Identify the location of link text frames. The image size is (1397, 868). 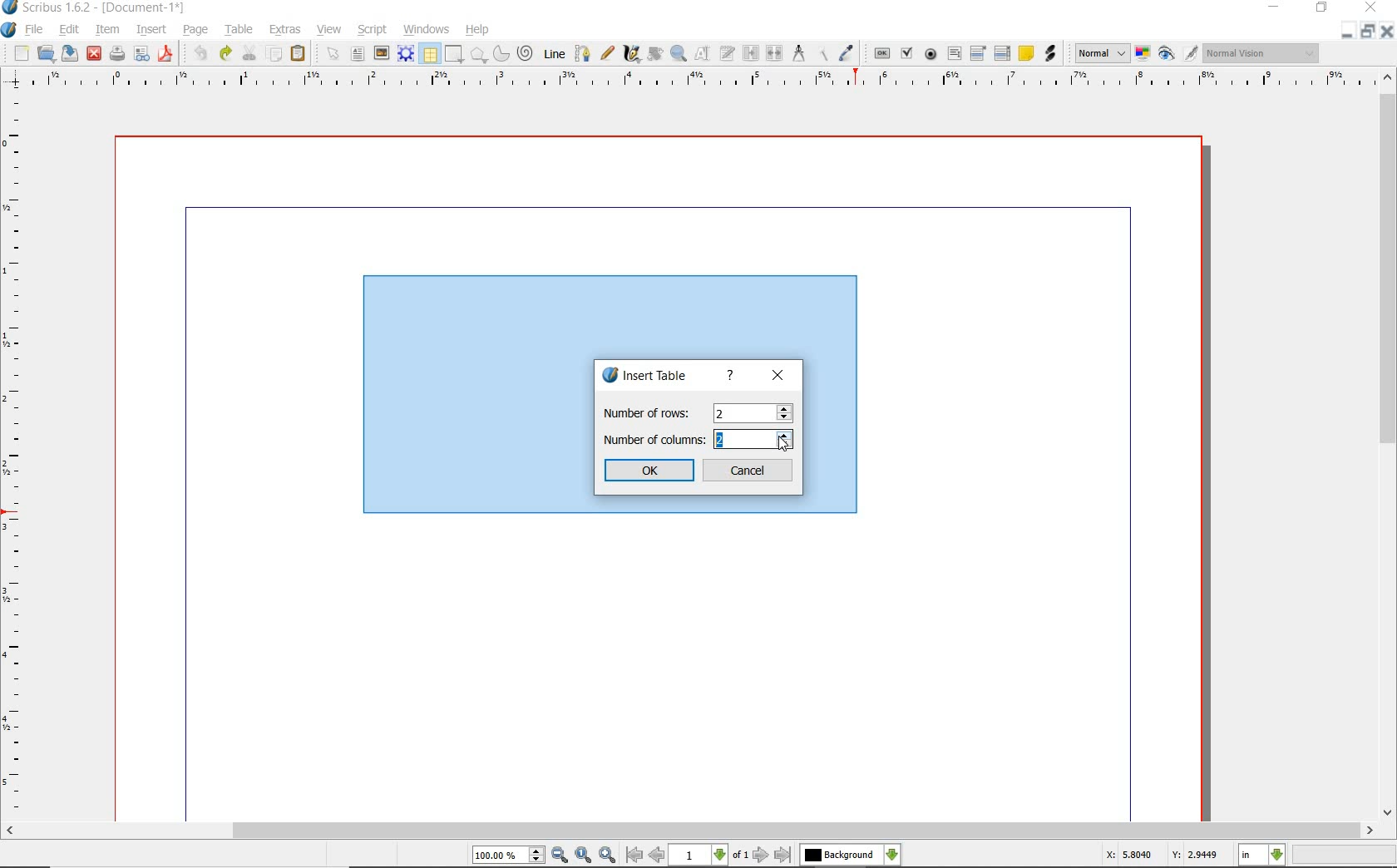
(752, 53).